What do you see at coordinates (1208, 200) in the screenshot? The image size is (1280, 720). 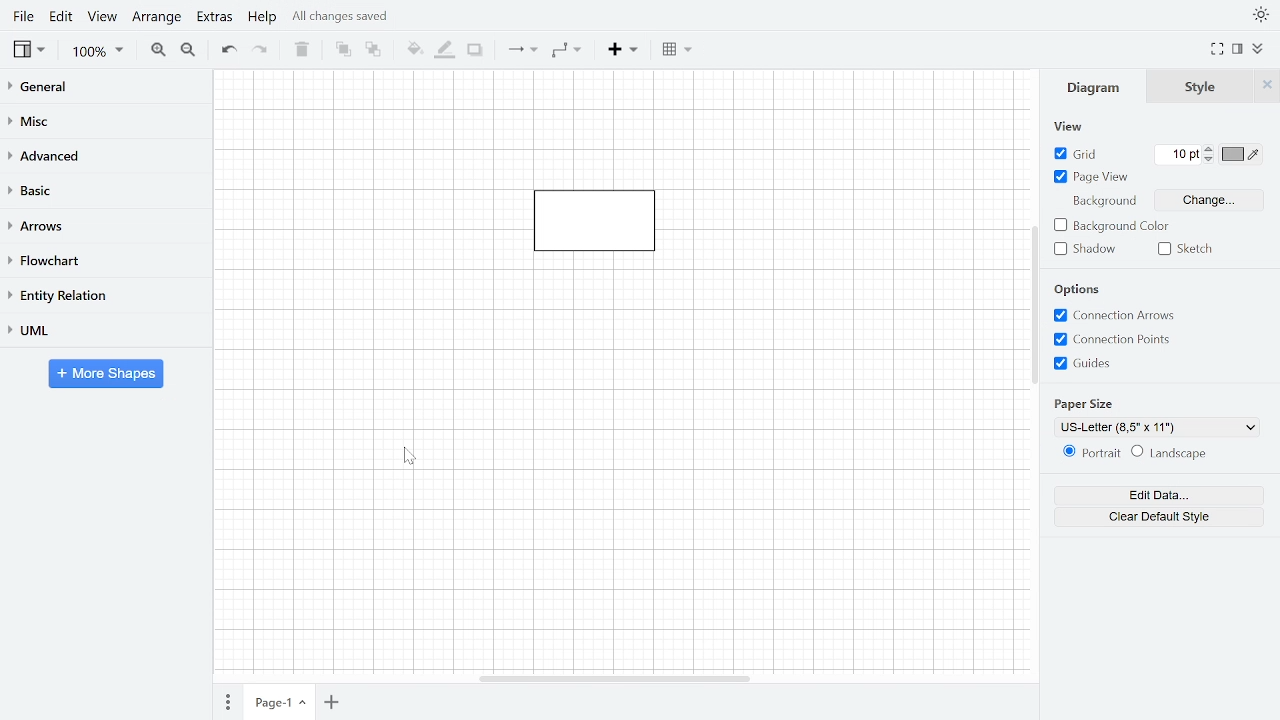 I see `Change background` at bounding box center [1208, 200].